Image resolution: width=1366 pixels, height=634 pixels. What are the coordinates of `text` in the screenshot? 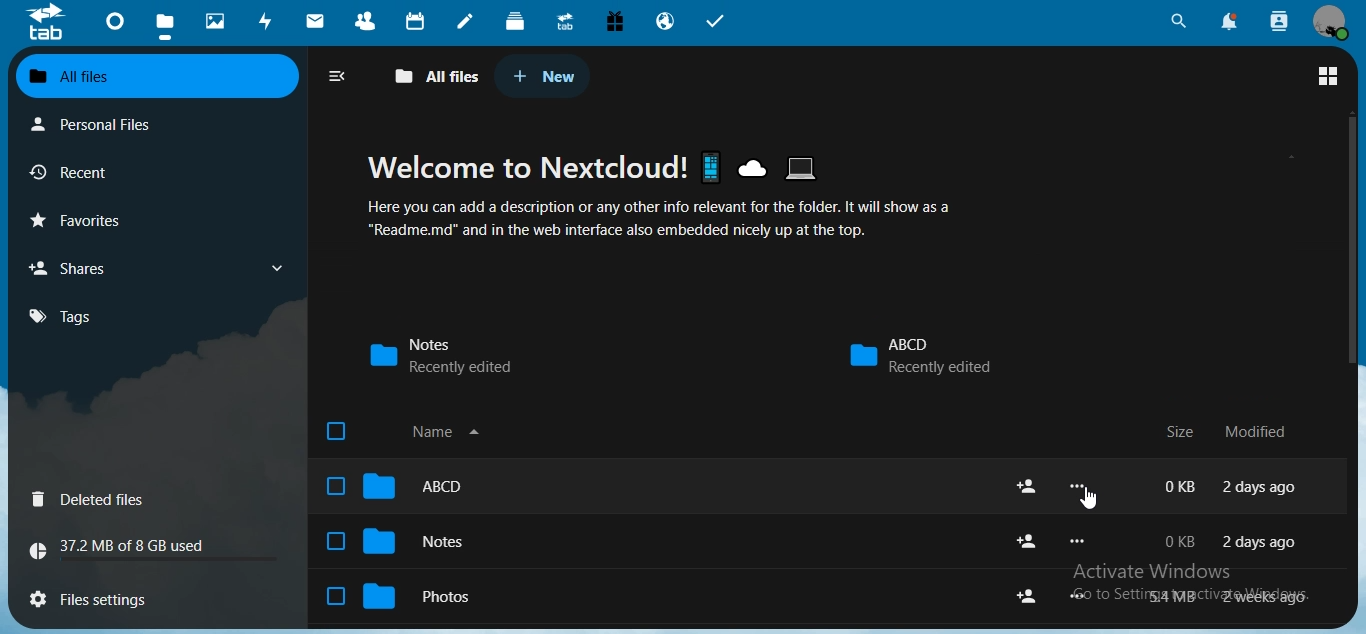 It's located at (668, 203).